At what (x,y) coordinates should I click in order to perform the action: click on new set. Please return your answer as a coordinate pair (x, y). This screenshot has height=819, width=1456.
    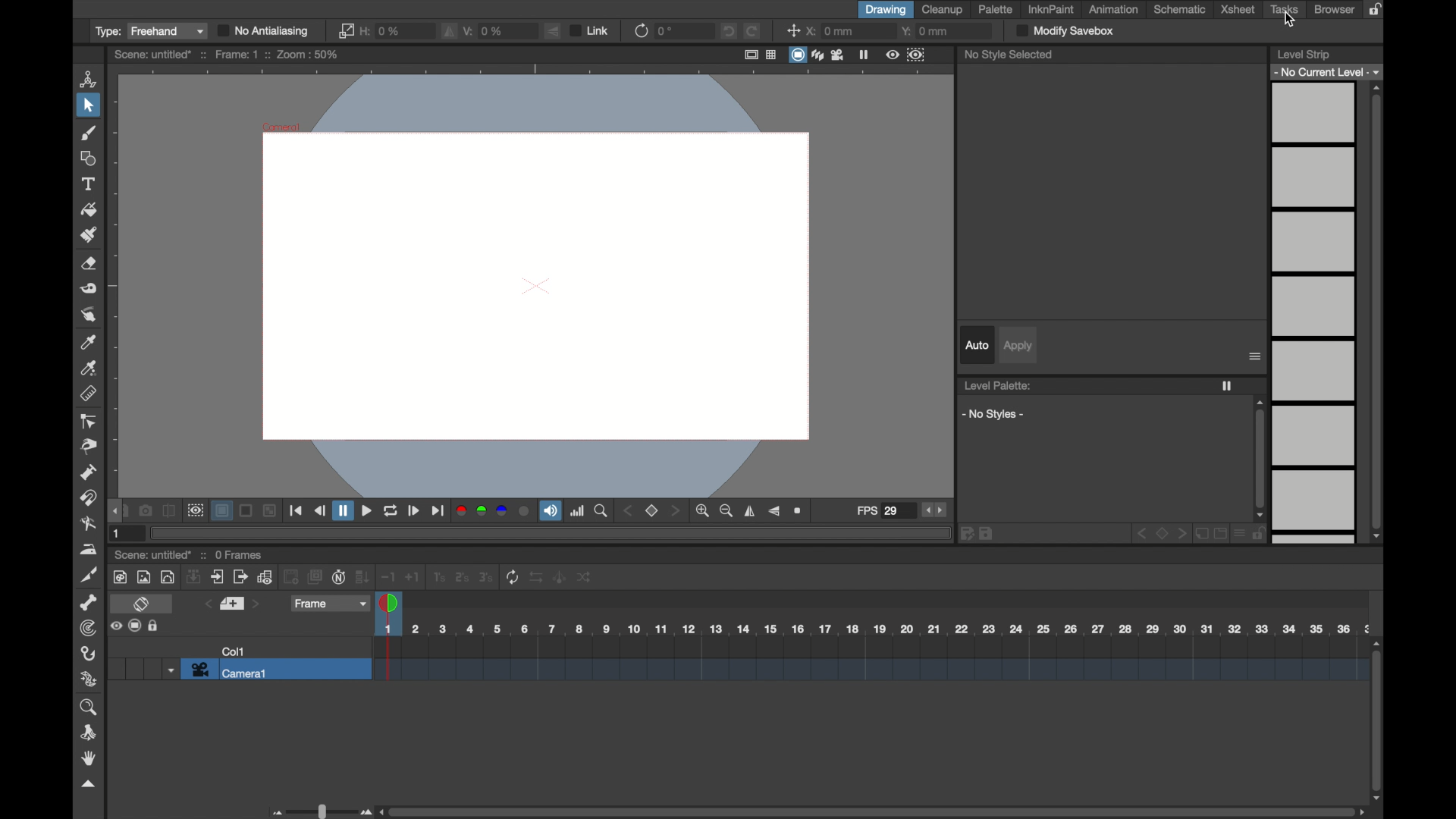
    Looking at the image, I should click on (232, 604).